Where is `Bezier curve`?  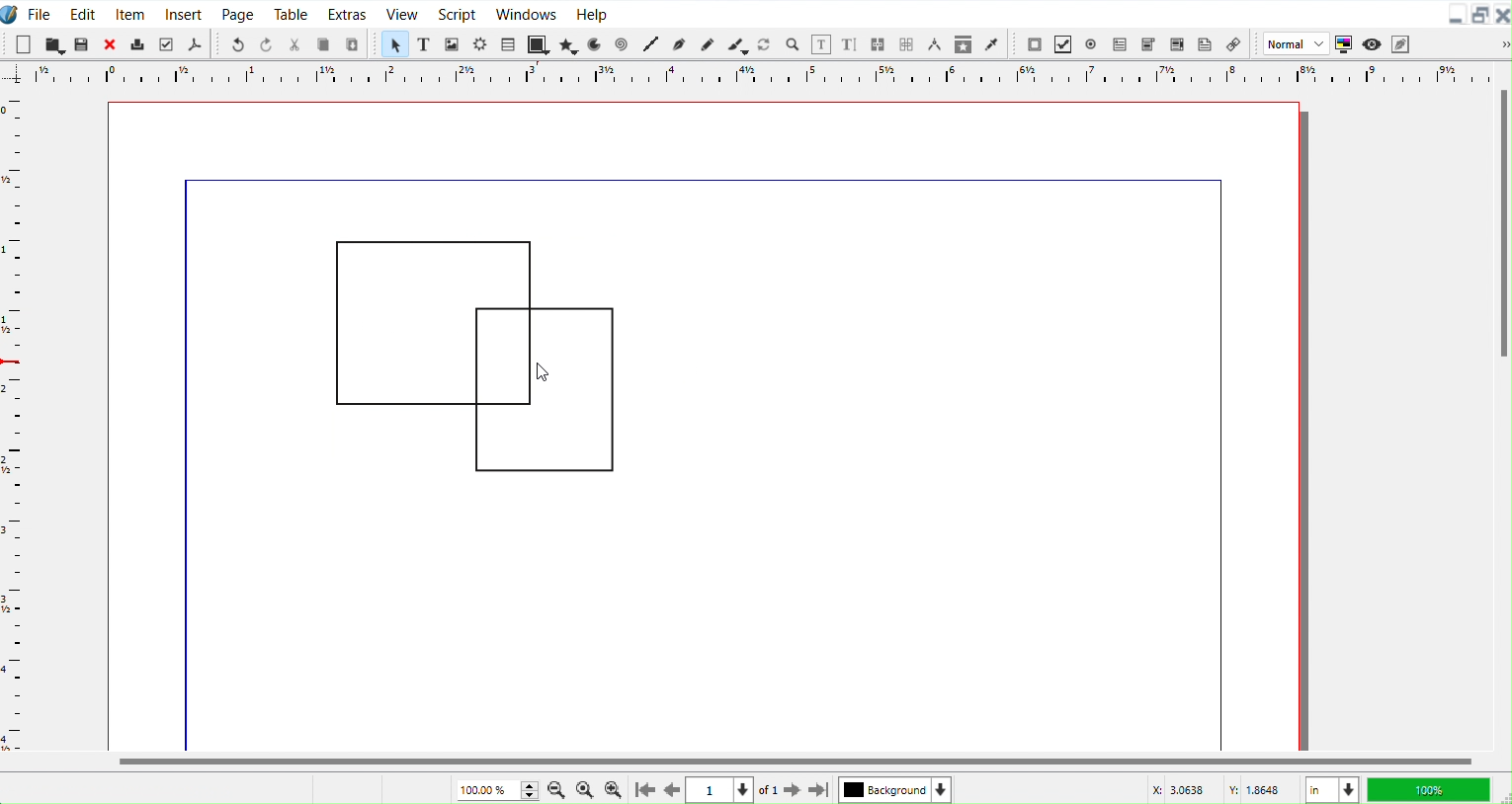 Bezier curve is located at coordinates (680, 45).